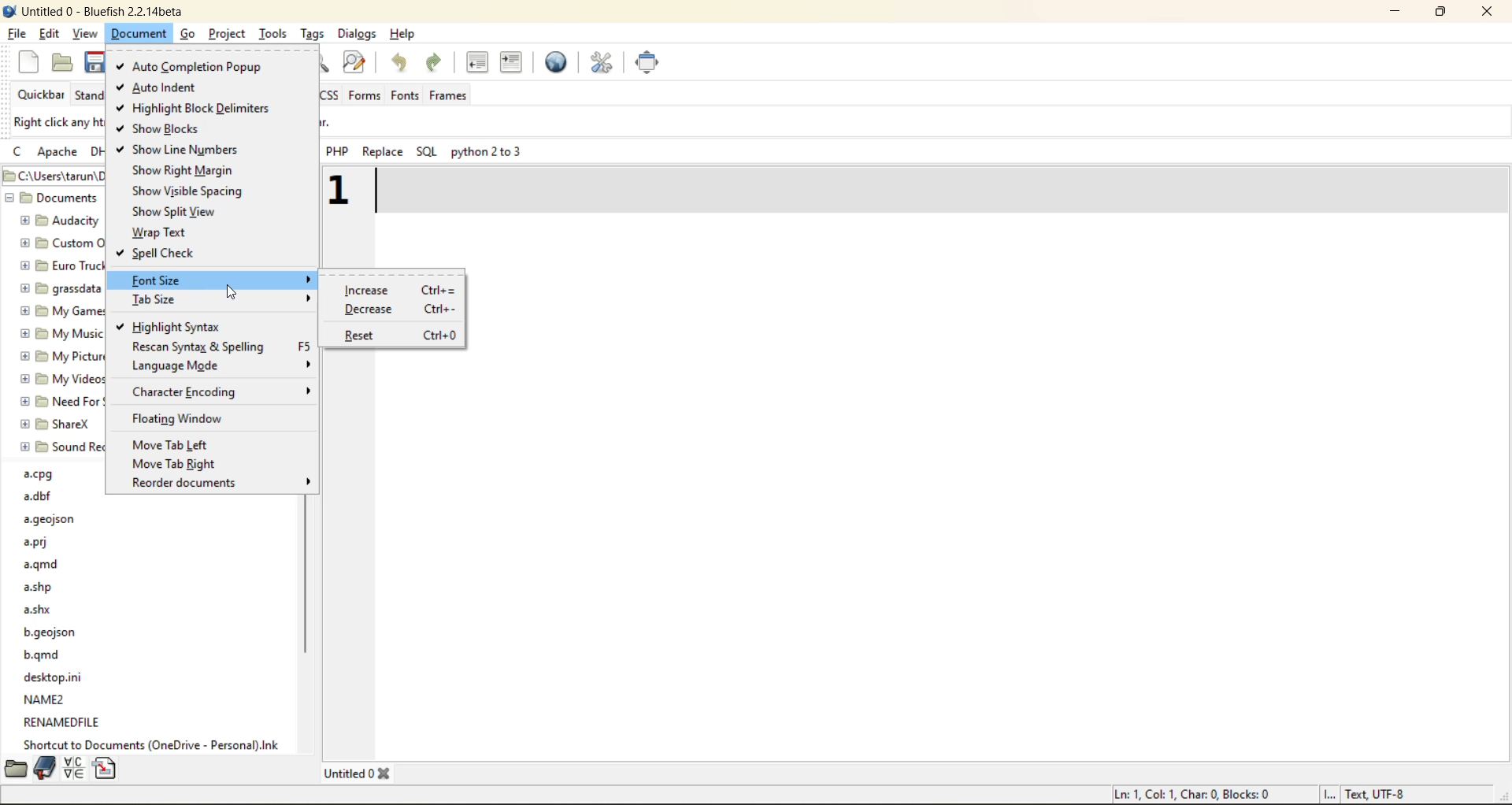 Image resolution: width=1512 pixels, height=805 pixels. What do you see at coordinates (61, 243) in the screenshot?
I see `custom office templates` at bounding box center [61, 243].